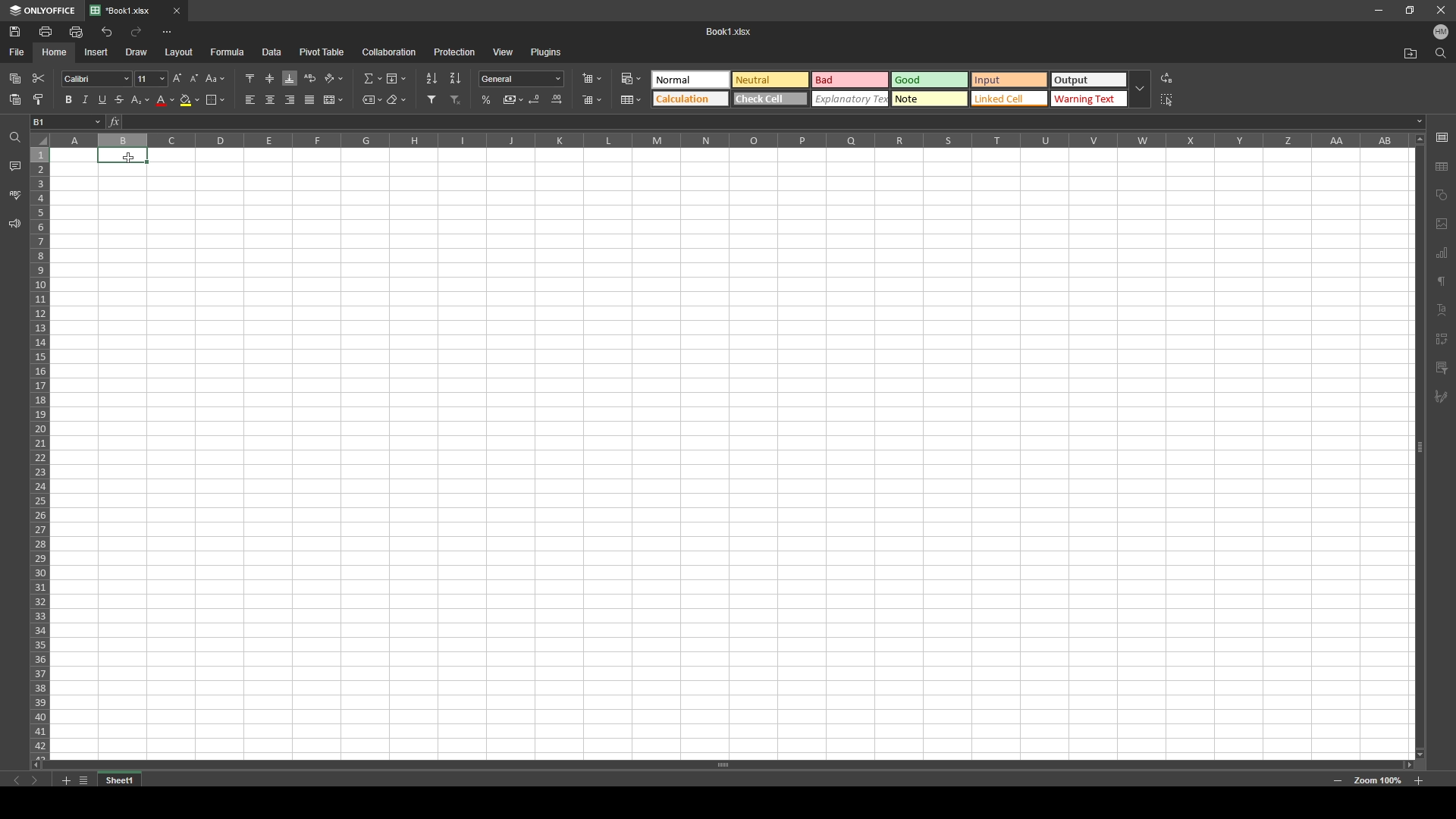  Describe the element at coordinates (215, 99) in the screenshot. I see `border` at that location.